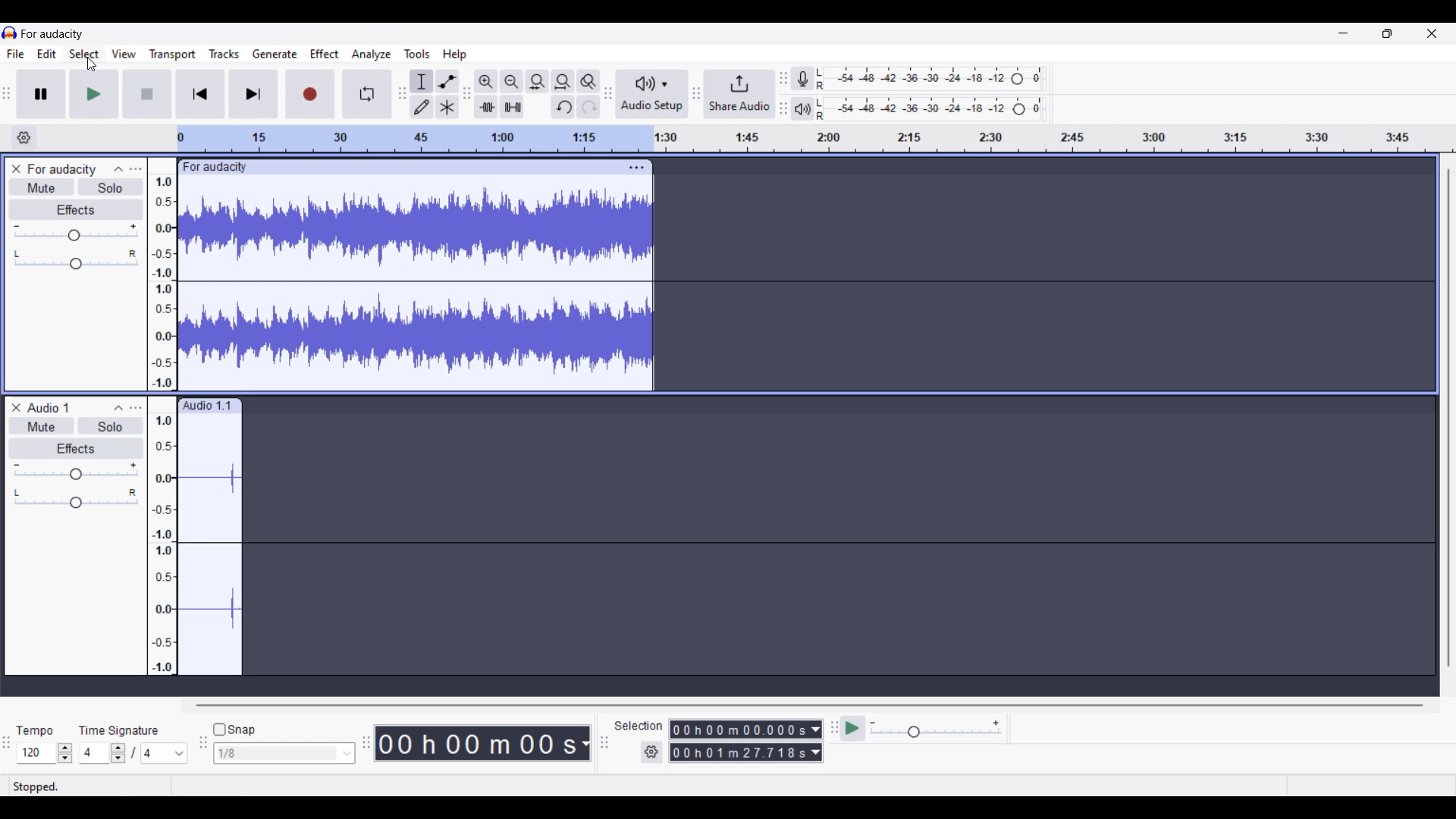 The image size is (1456, 819). Describe the element at coordinates (119, 730) in the screenshot. I see `time signature ` at that location.